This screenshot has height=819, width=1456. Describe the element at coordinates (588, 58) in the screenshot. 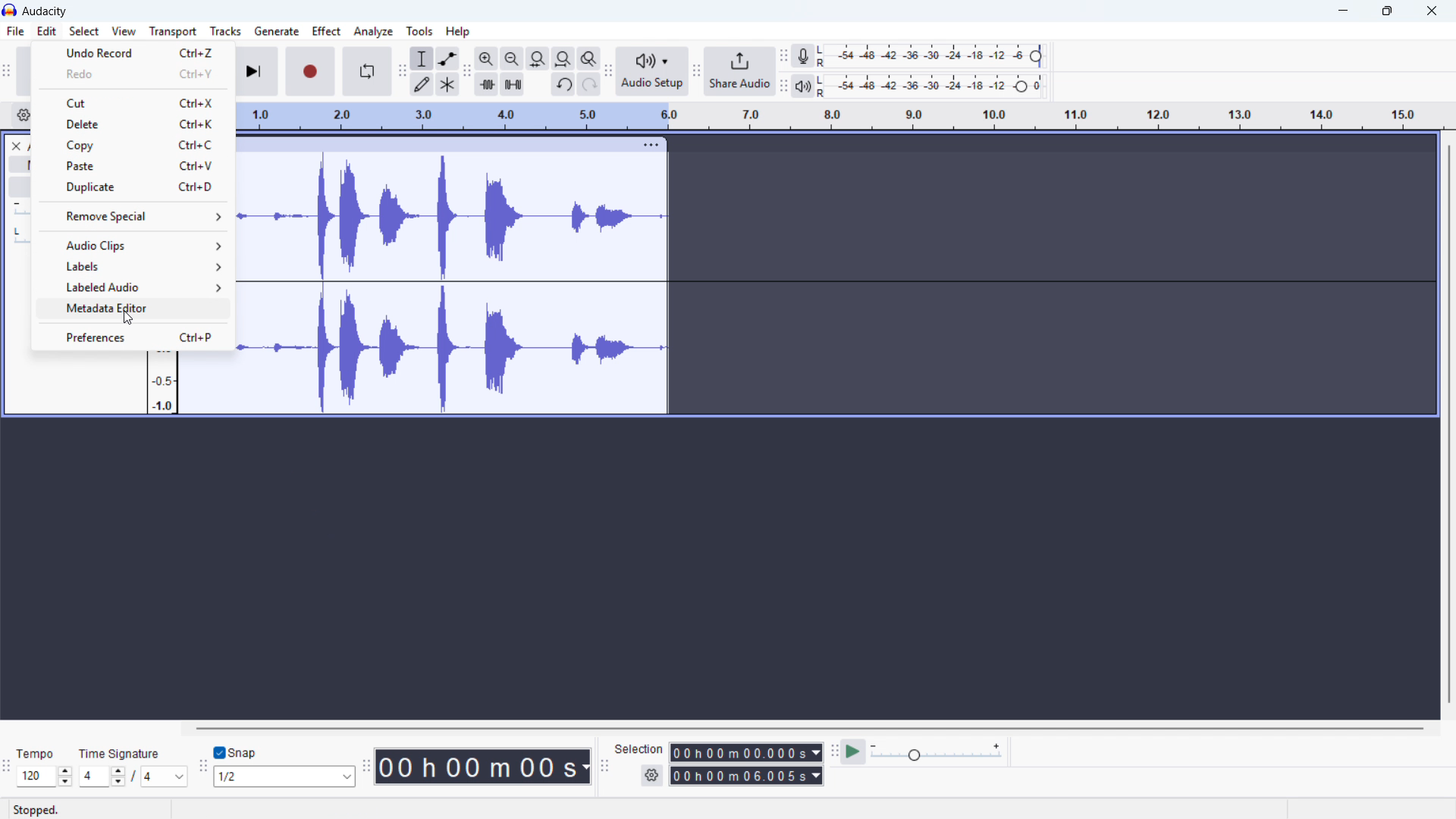

I see `toggle zoom` at that location.